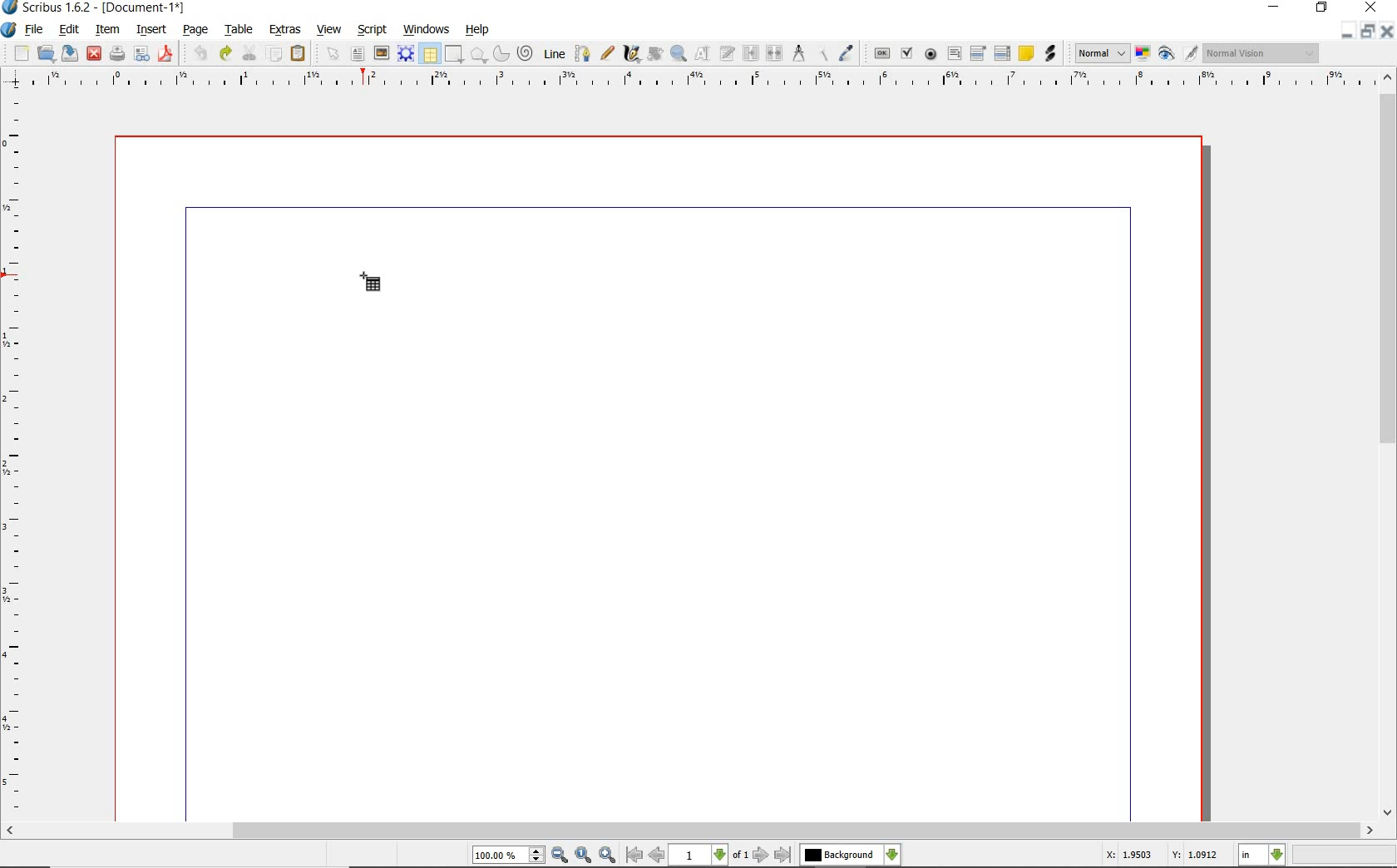  What do you see at coordinates (47, 54) in the screenshot?
I see `open` at bounding box center [47, 54].